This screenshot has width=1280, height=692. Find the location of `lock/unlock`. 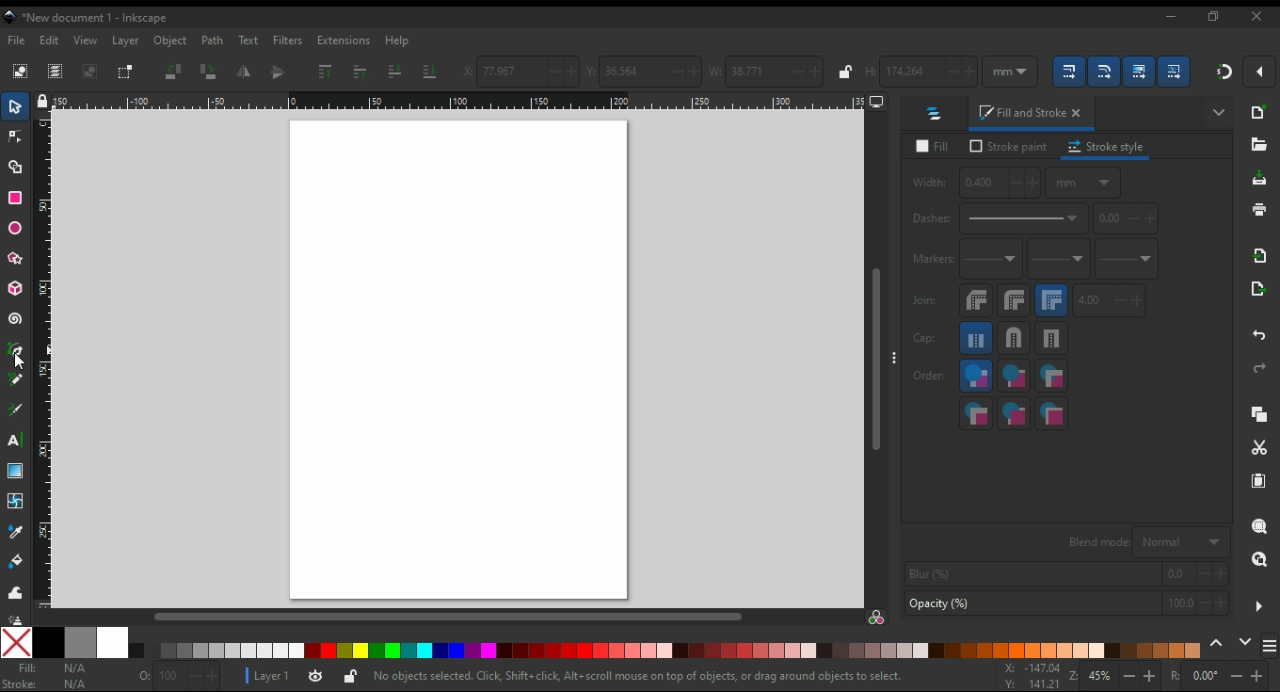

lock/unlock is located at coordinates (846, 72).